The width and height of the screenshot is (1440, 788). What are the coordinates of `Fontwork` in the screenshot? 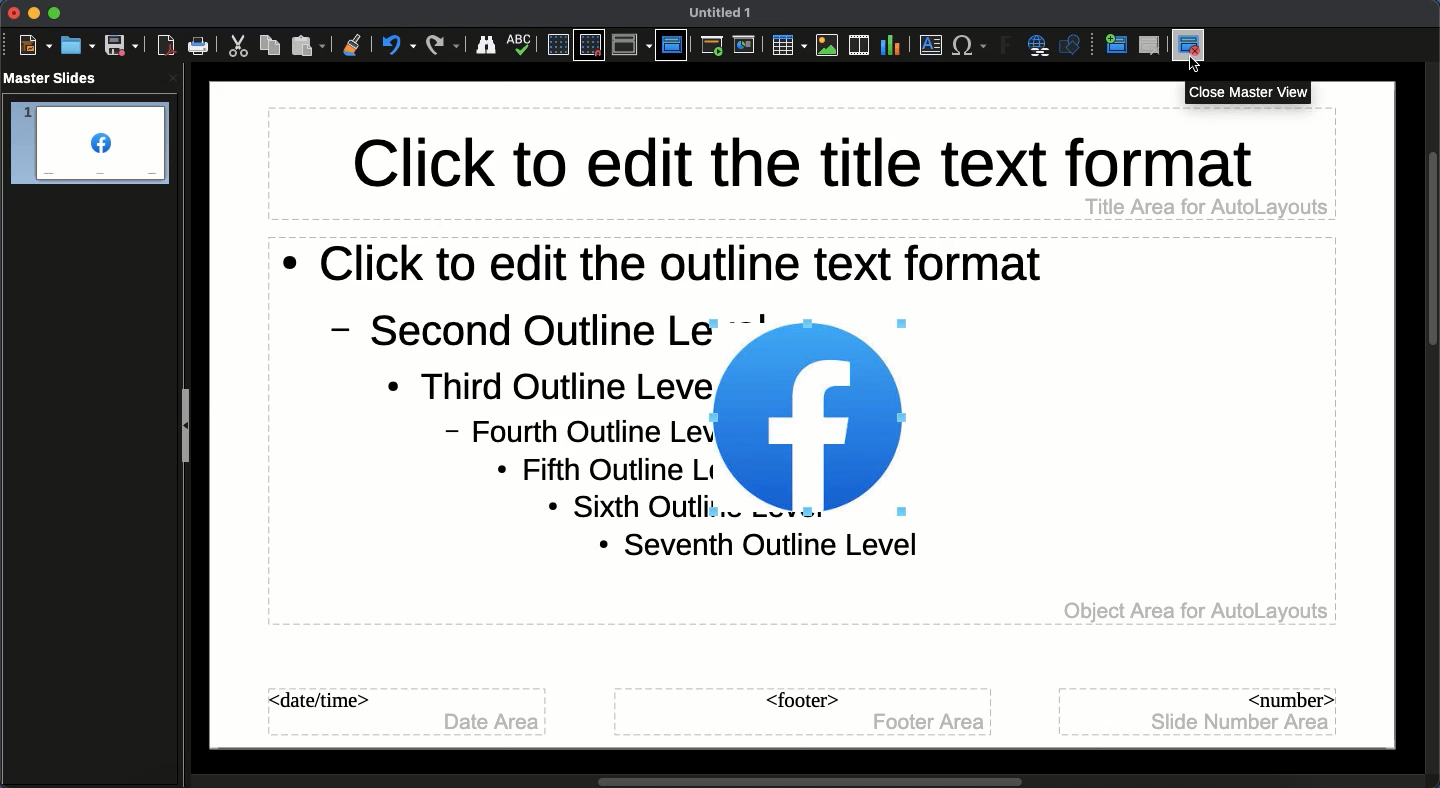 It's located at (1003, 45).